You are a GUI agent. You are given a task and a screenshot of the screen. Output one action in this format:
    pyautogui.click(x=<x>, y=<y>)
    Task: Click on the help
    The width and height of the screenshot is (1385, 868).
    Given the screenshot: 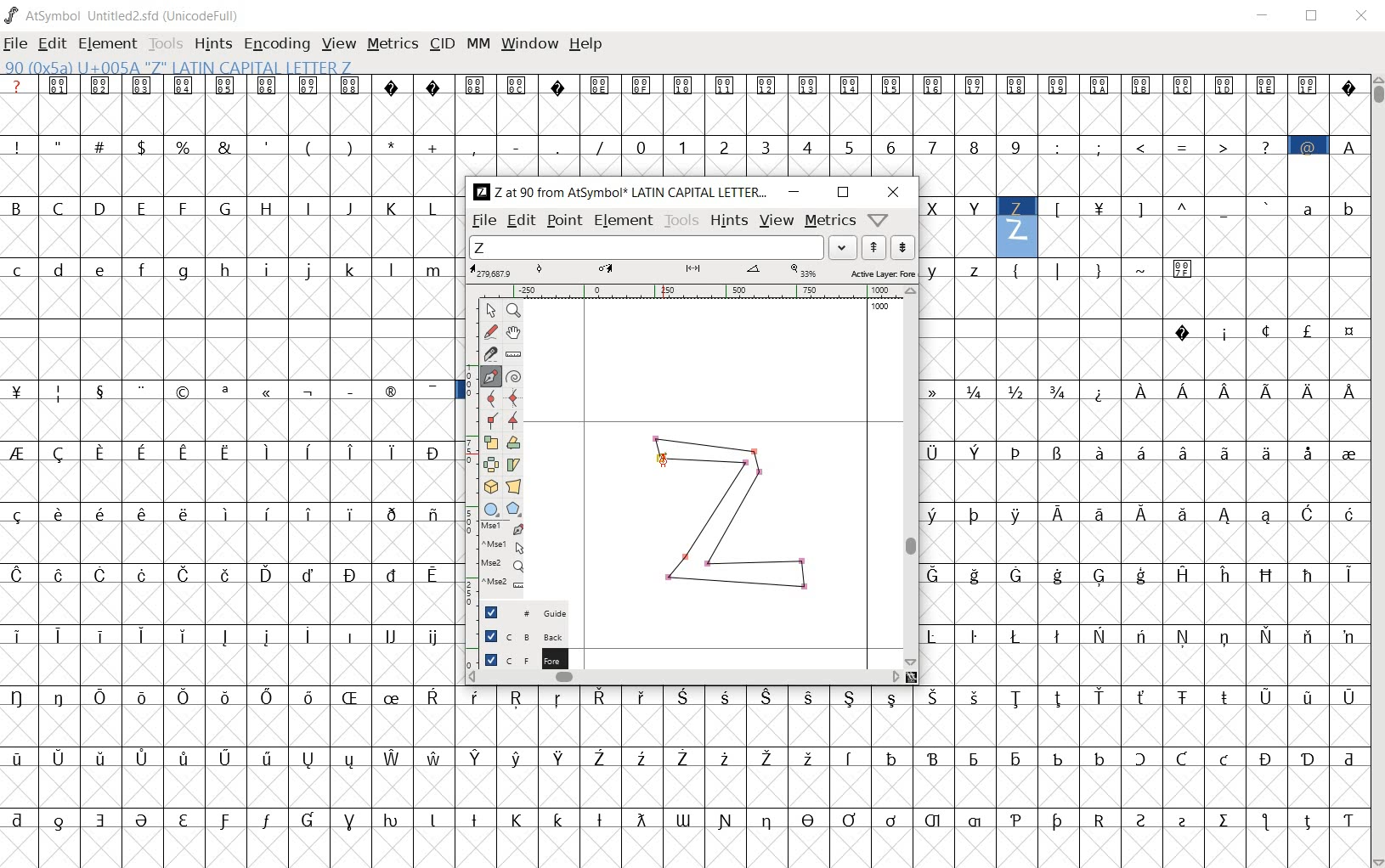 What is the action you would take?
    pyautogui.click(x=587, y=44)
    